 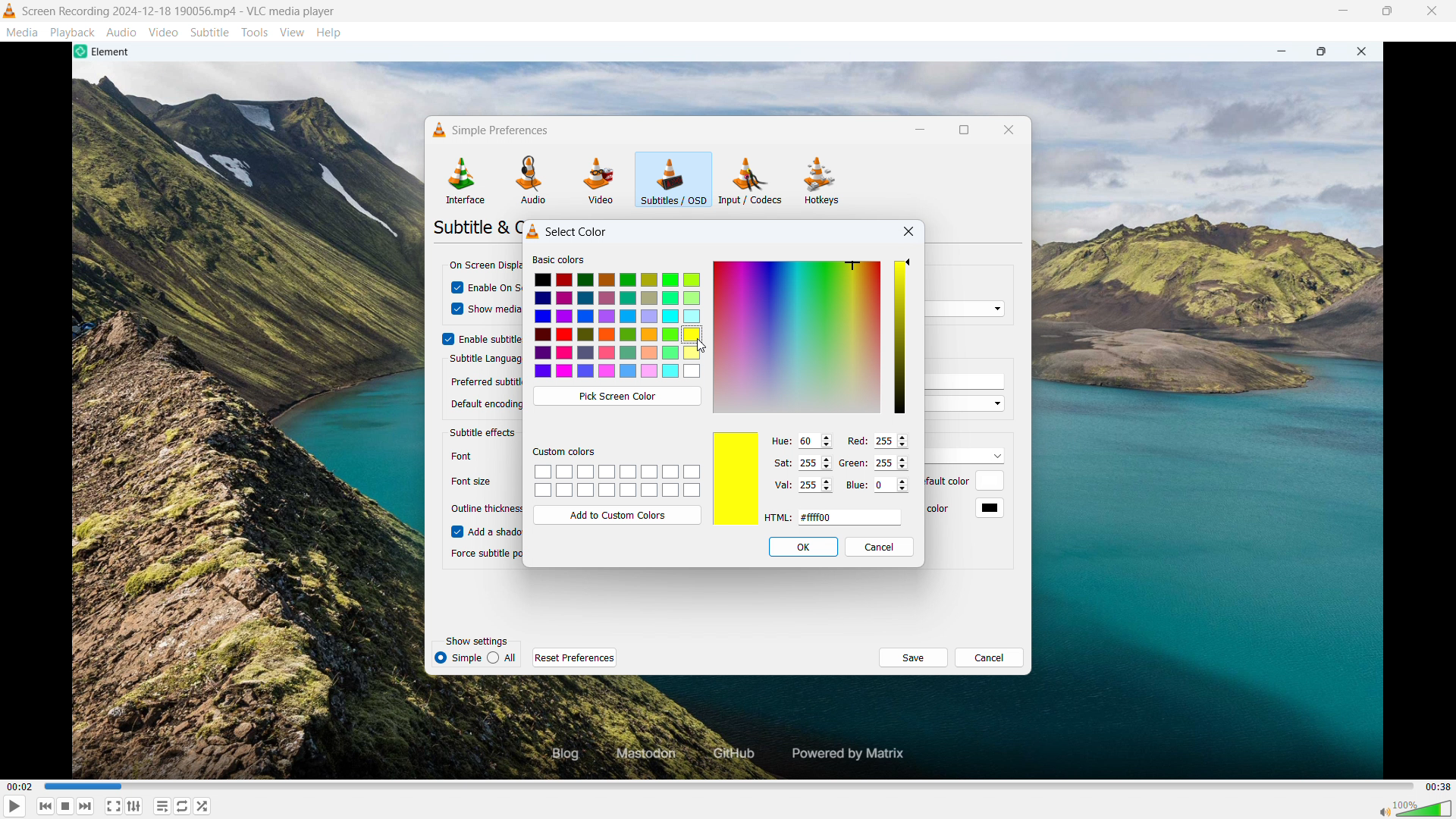 I want to click on Green, so click(x=855, y=462).